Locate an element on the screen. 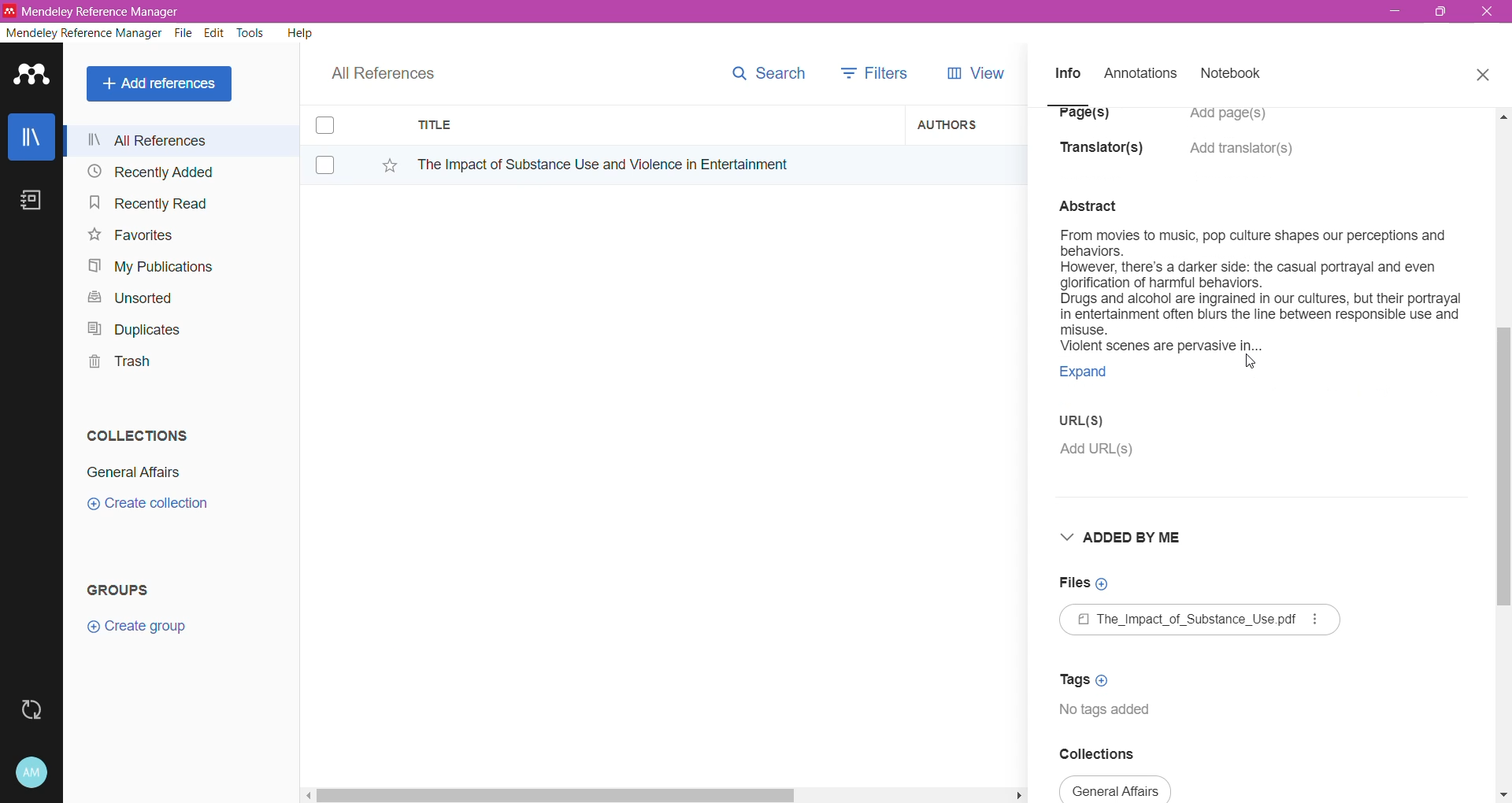 Image resolution: width=1512 pixels, height=803 pixels. Recently Read is located at coordinates (148, 202).